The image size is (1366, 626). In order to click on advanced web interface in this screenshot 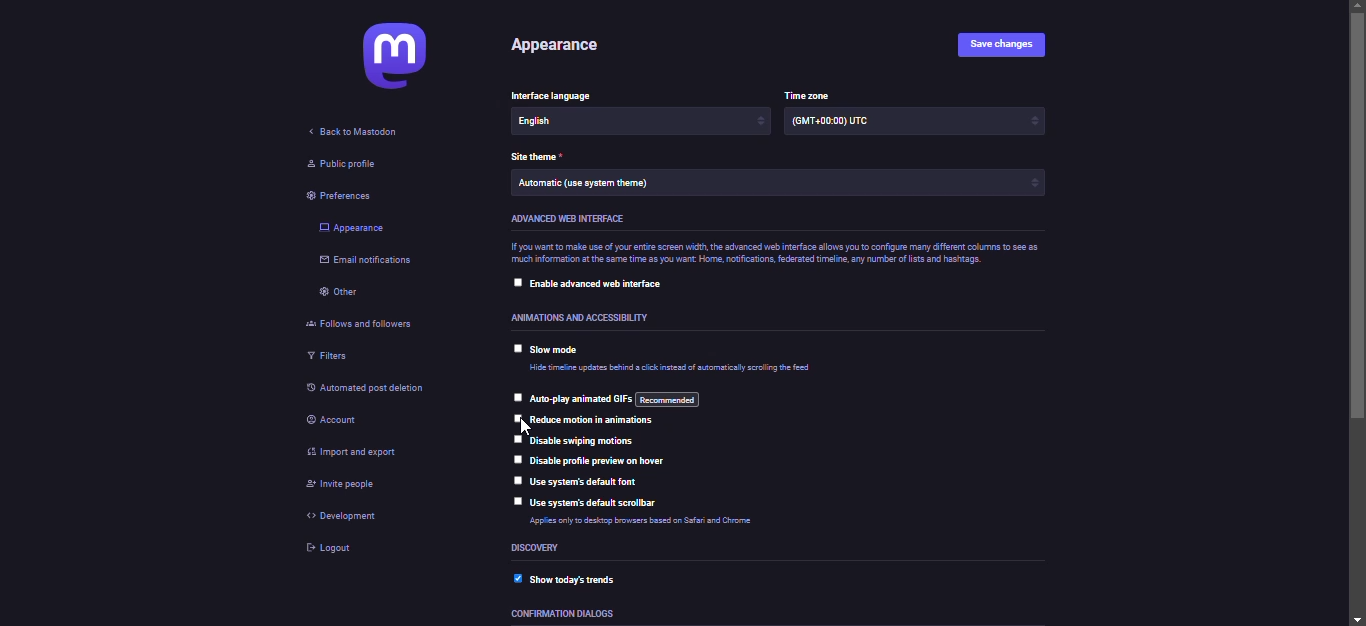, I will do `click(565, 218)`.